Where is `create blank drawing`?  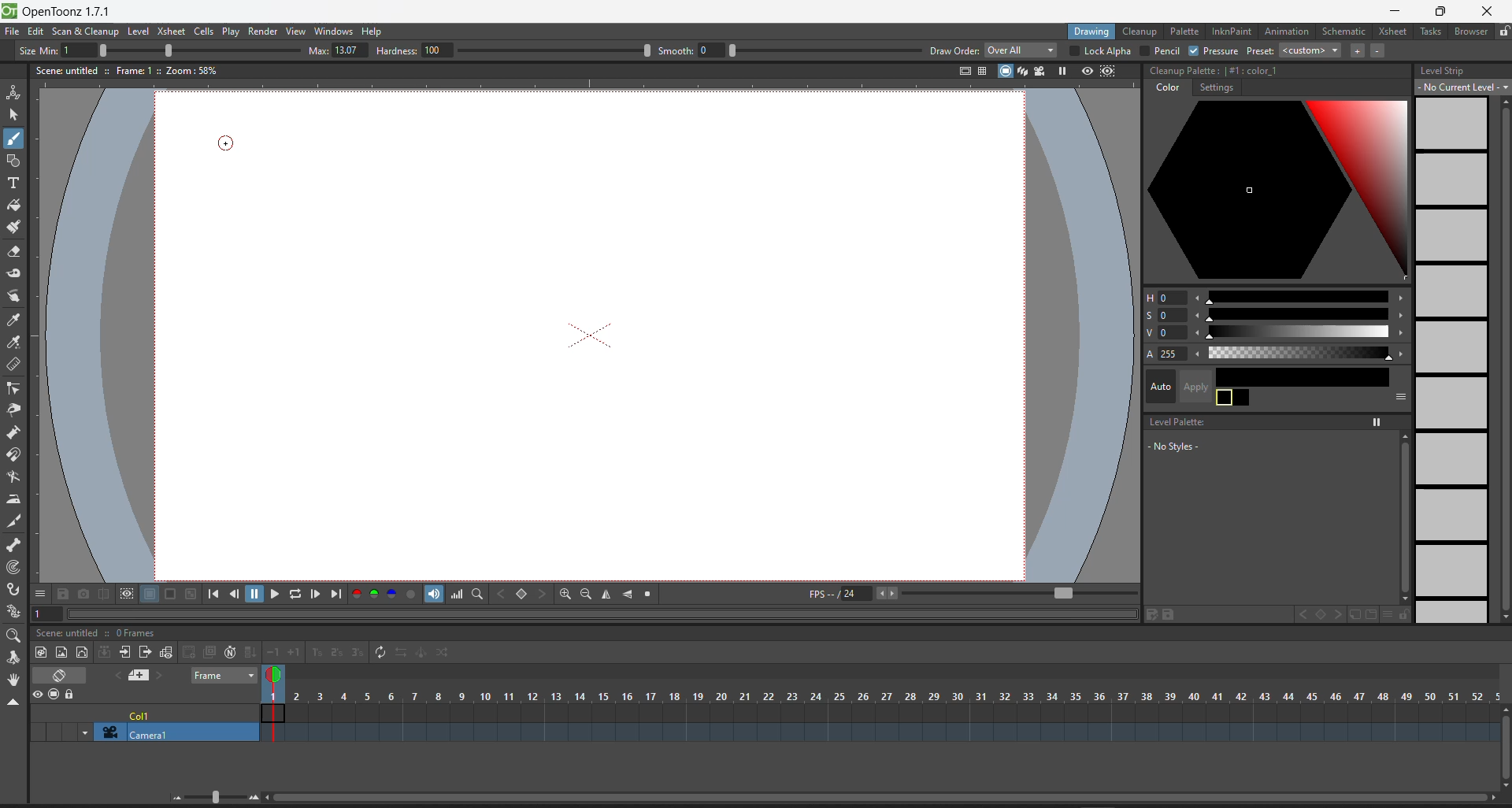
create blank drawing is located at coordinates (187, 652).